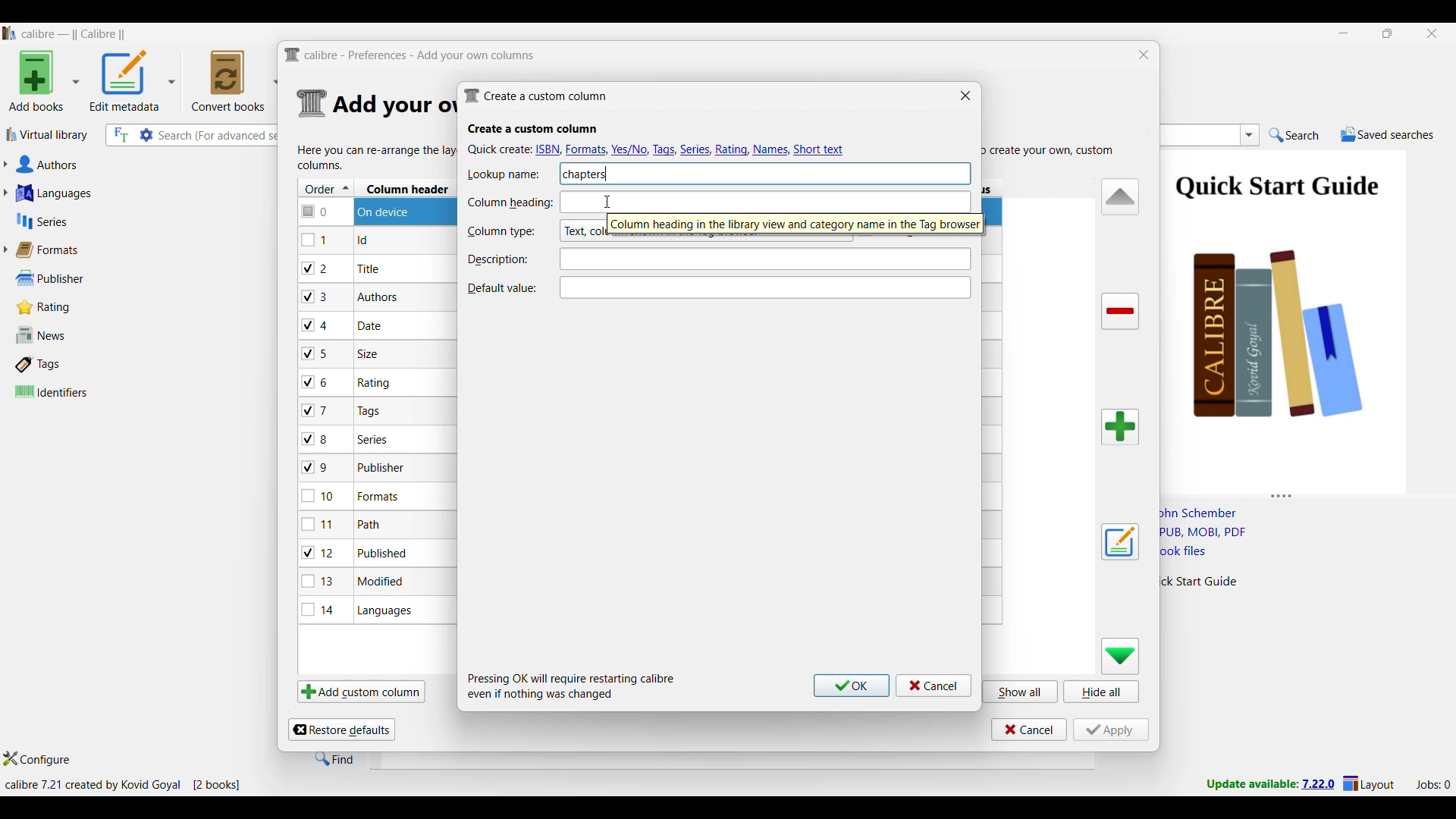  What do you see at coordinates (316, 438) in the screenshot?
I see `checkbox - 8` at bounding box center [316, 438].